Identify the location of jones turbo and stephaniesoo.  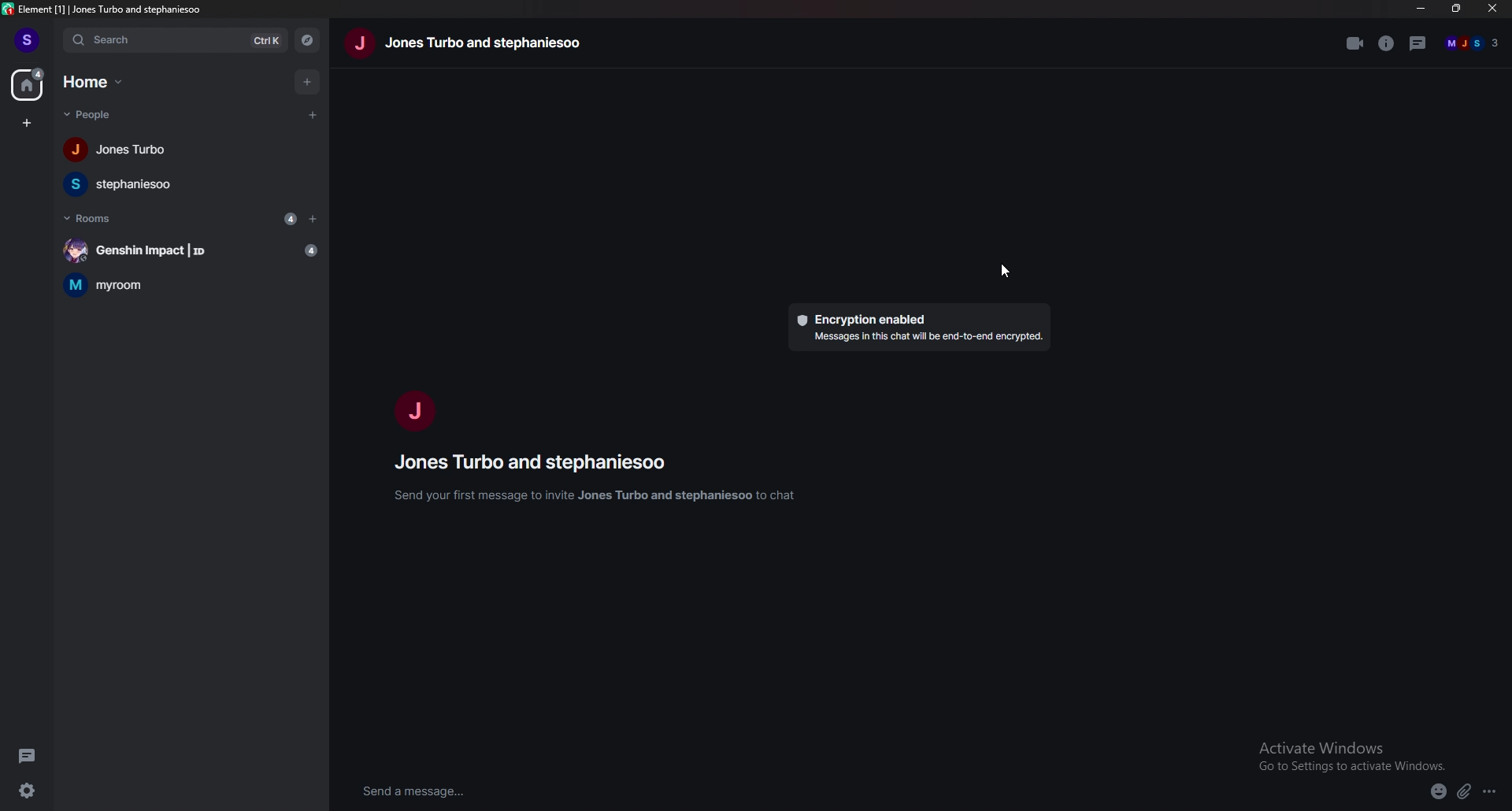
(497, 46).